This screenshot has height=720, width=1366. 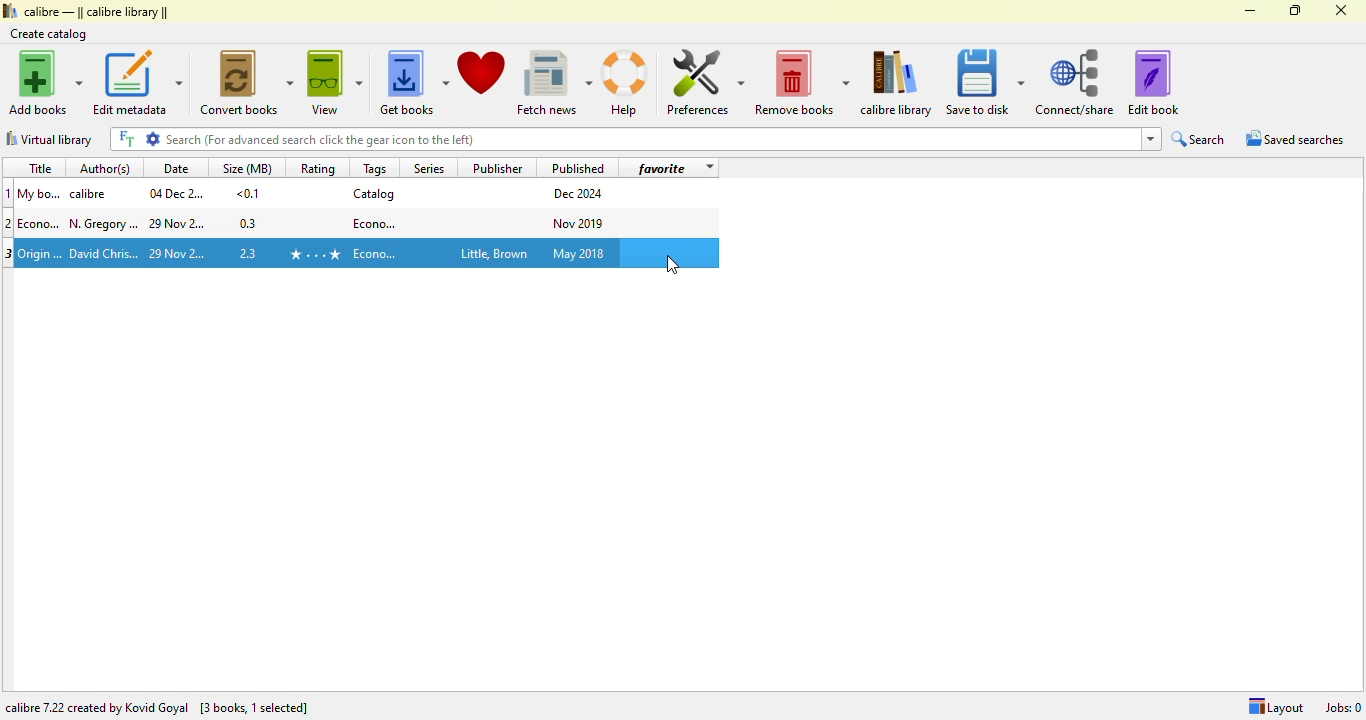 I want to click on Author, so click(x=104, y=254).